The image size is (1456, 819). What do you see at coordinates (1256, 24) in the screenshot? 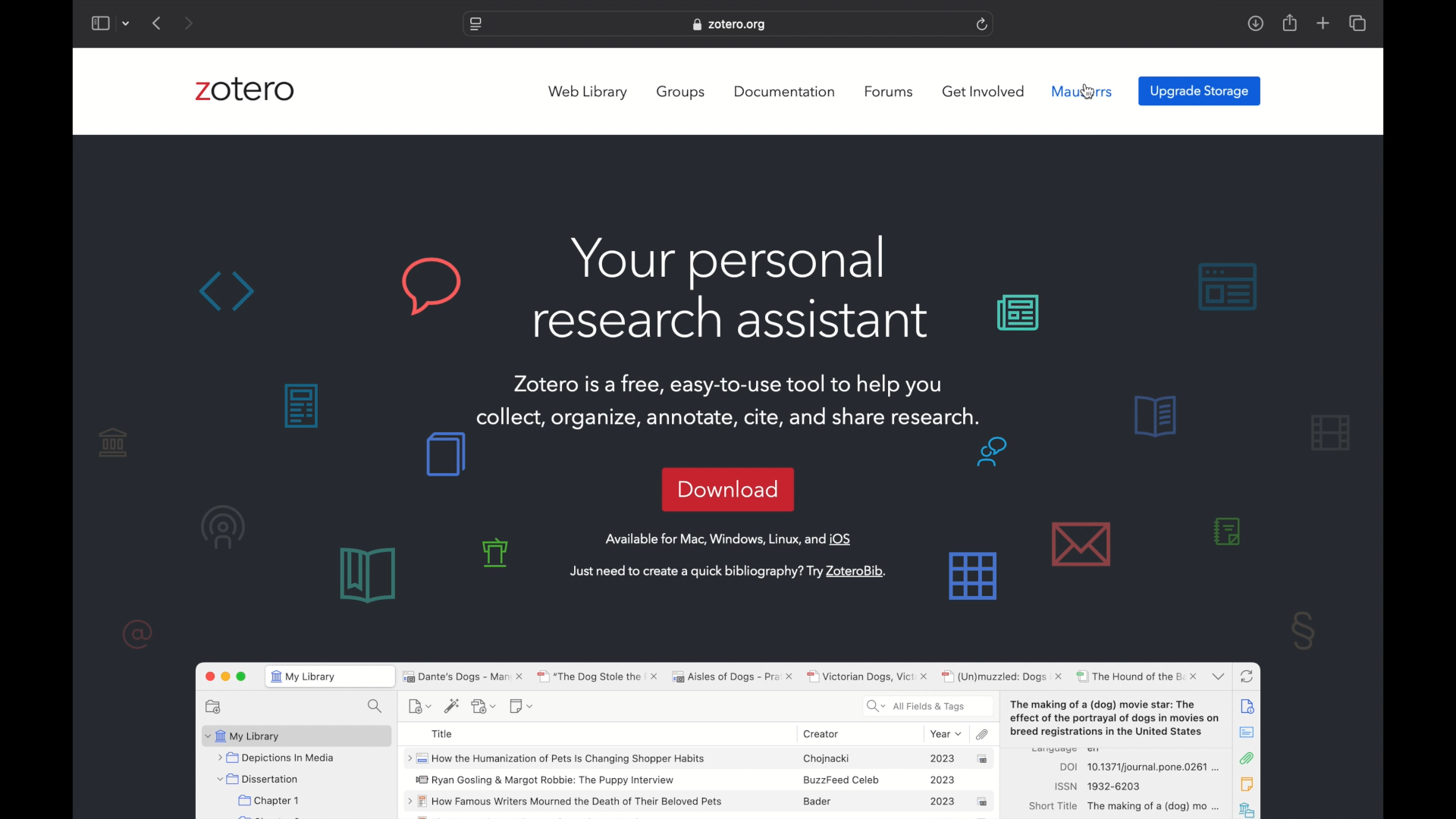
I see `download` at bounding box center [1256, 24].